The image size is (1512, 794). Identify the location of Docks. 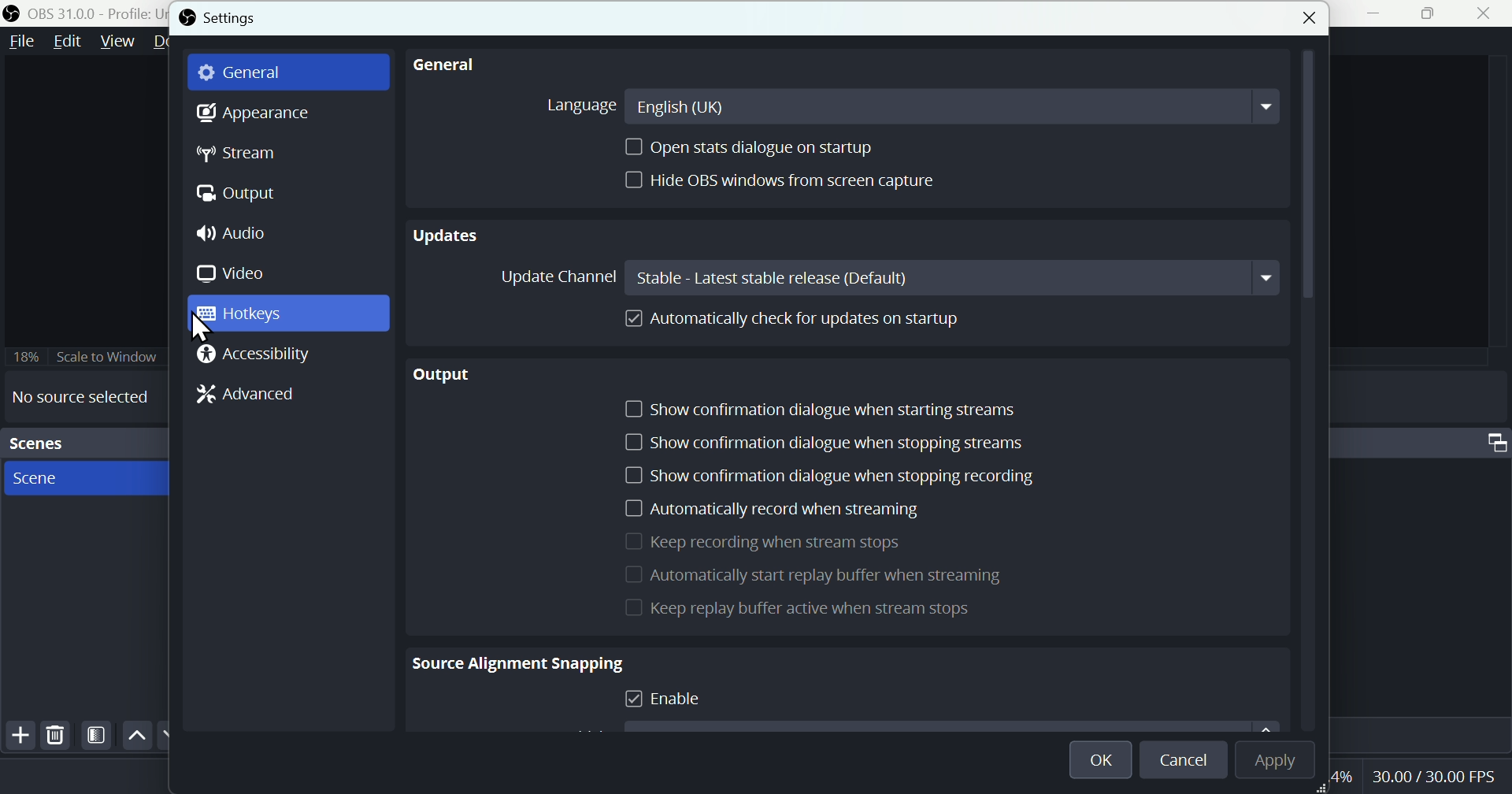
(172, 43).